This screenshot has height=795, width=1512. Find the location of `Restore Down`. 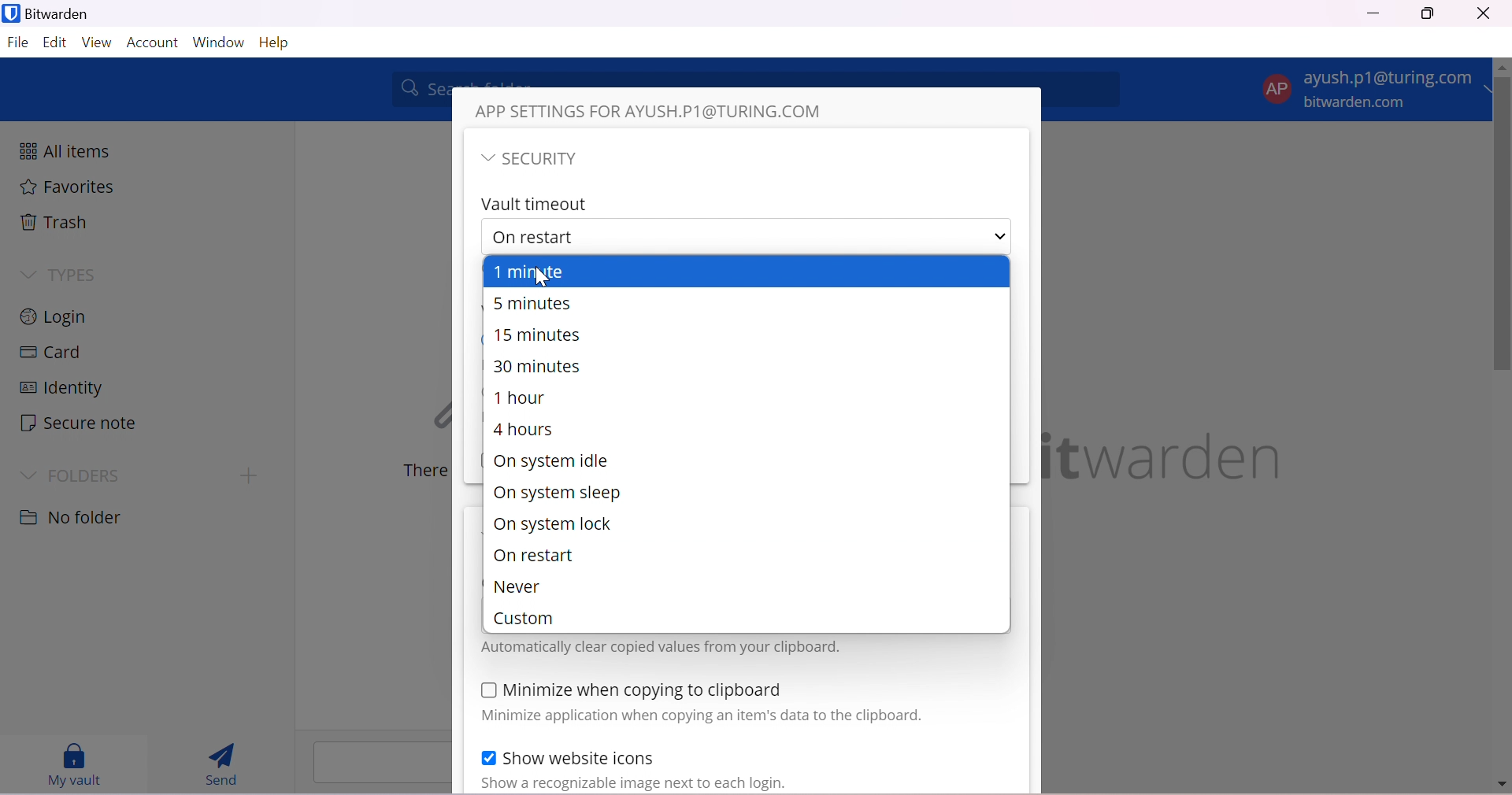

Restore Down is located at coordinates (1429, 15).